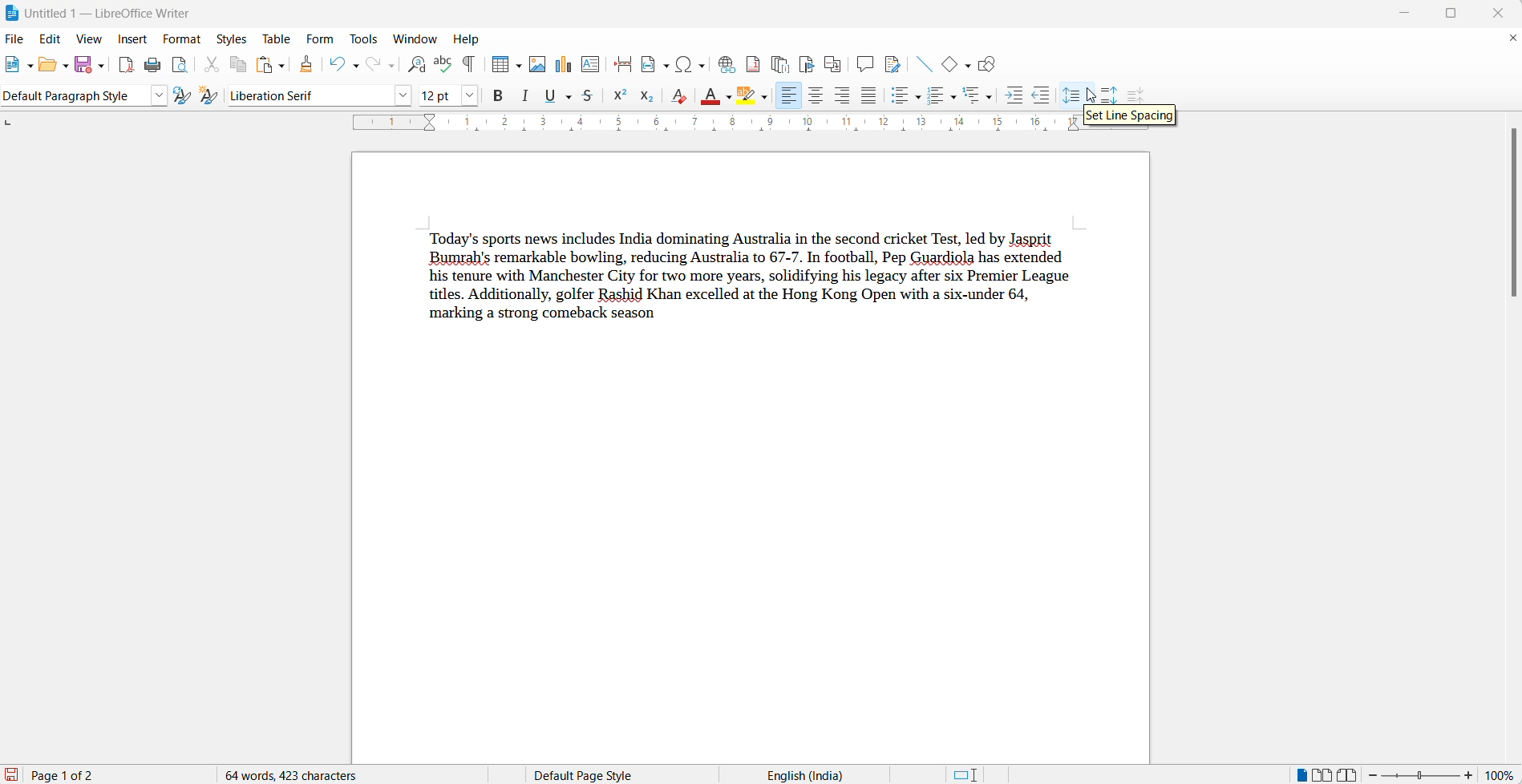  Describe the element at coordinates (933, 94) in the screenshot. I see `toggle ordered list` at that location.